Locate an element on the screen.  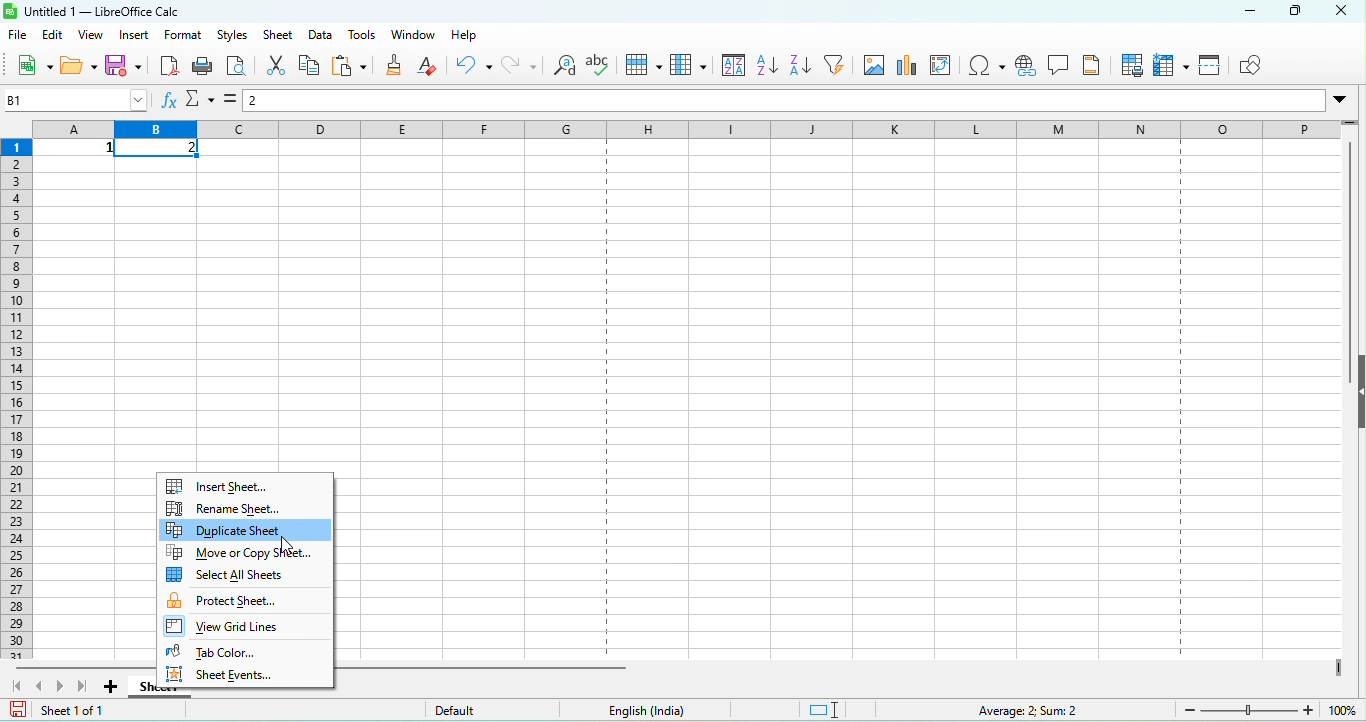
file is located at coordinates (15, 35).